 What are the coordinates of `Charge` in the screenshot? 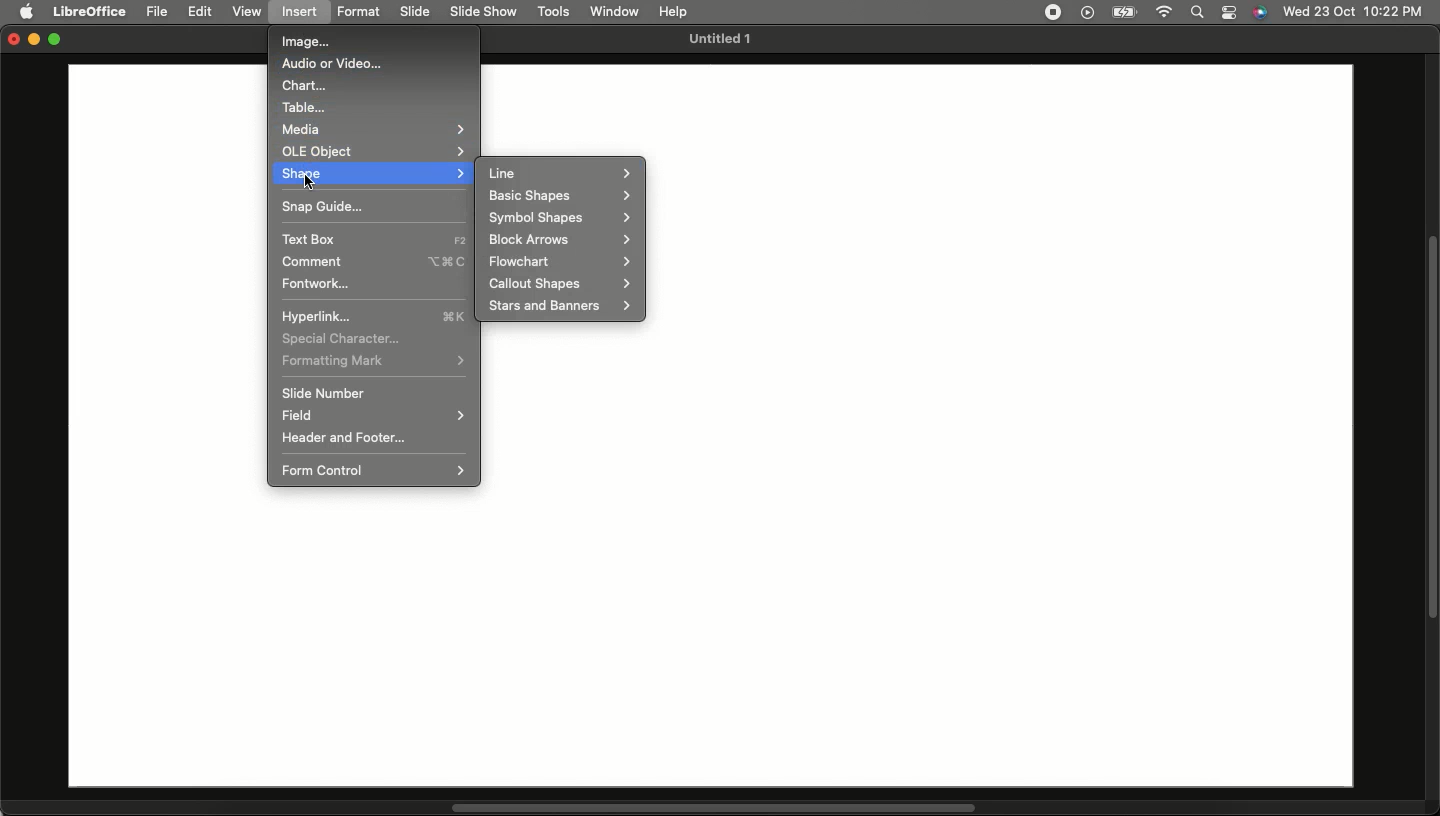 It's located at (1122, 12).